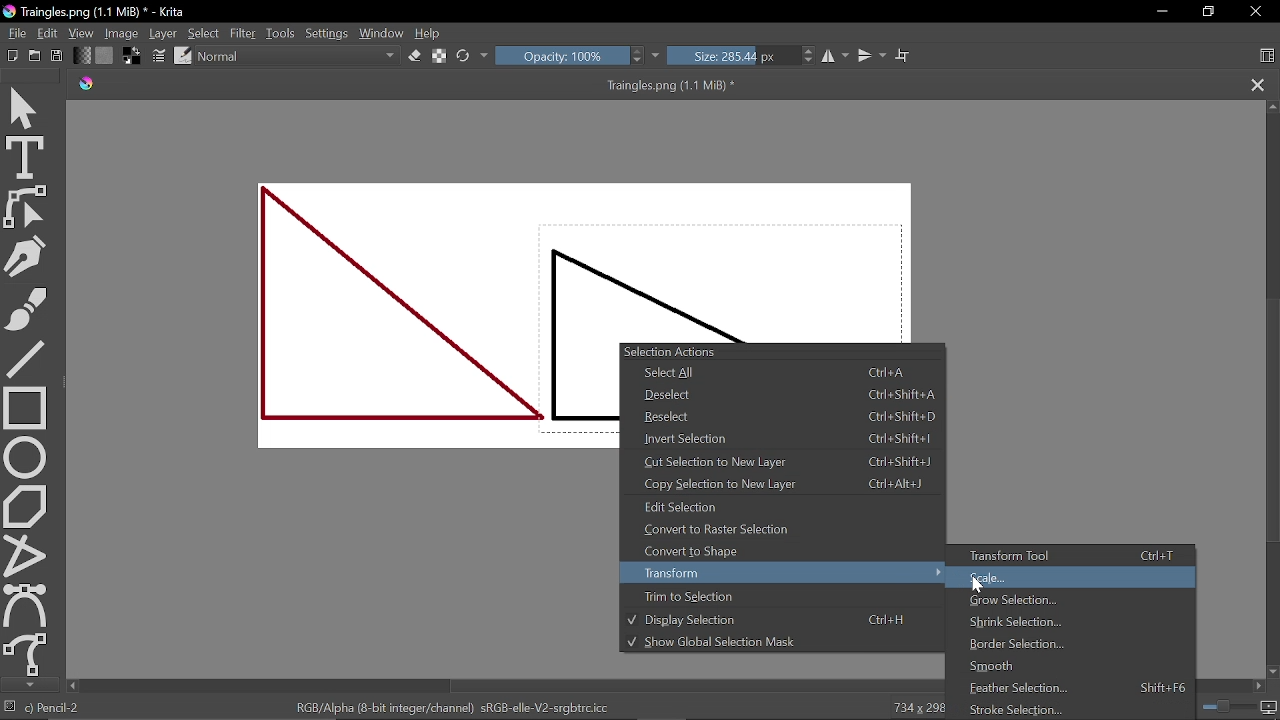 This screenshot has height=720, width=1280. Describe the element at coordinates (27, 104) in the screenshot. I see `Move` at that location.